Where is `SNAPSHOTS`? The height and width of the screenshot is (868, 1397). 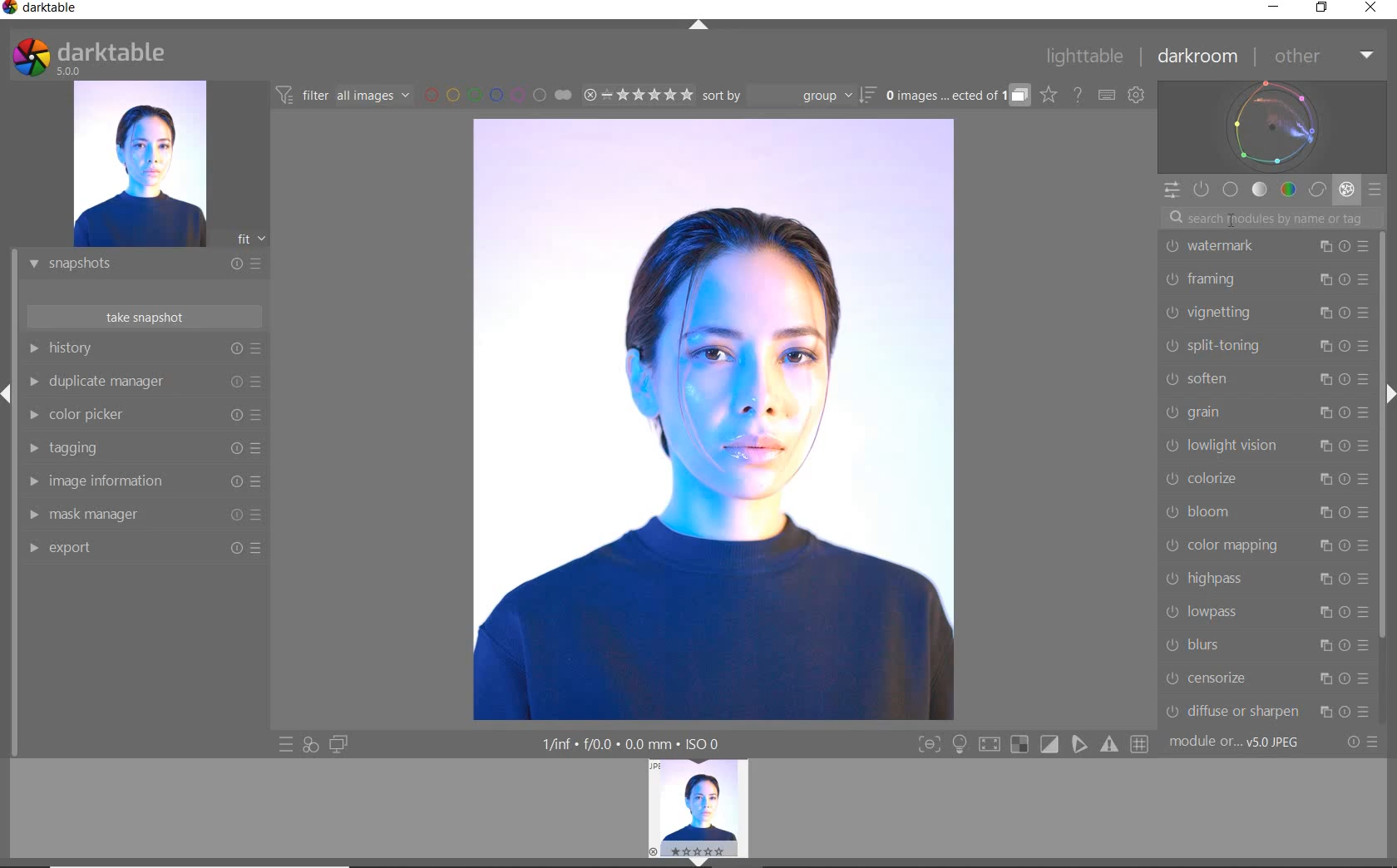 SNAPSHOTS is located at coordinates (138, 265).